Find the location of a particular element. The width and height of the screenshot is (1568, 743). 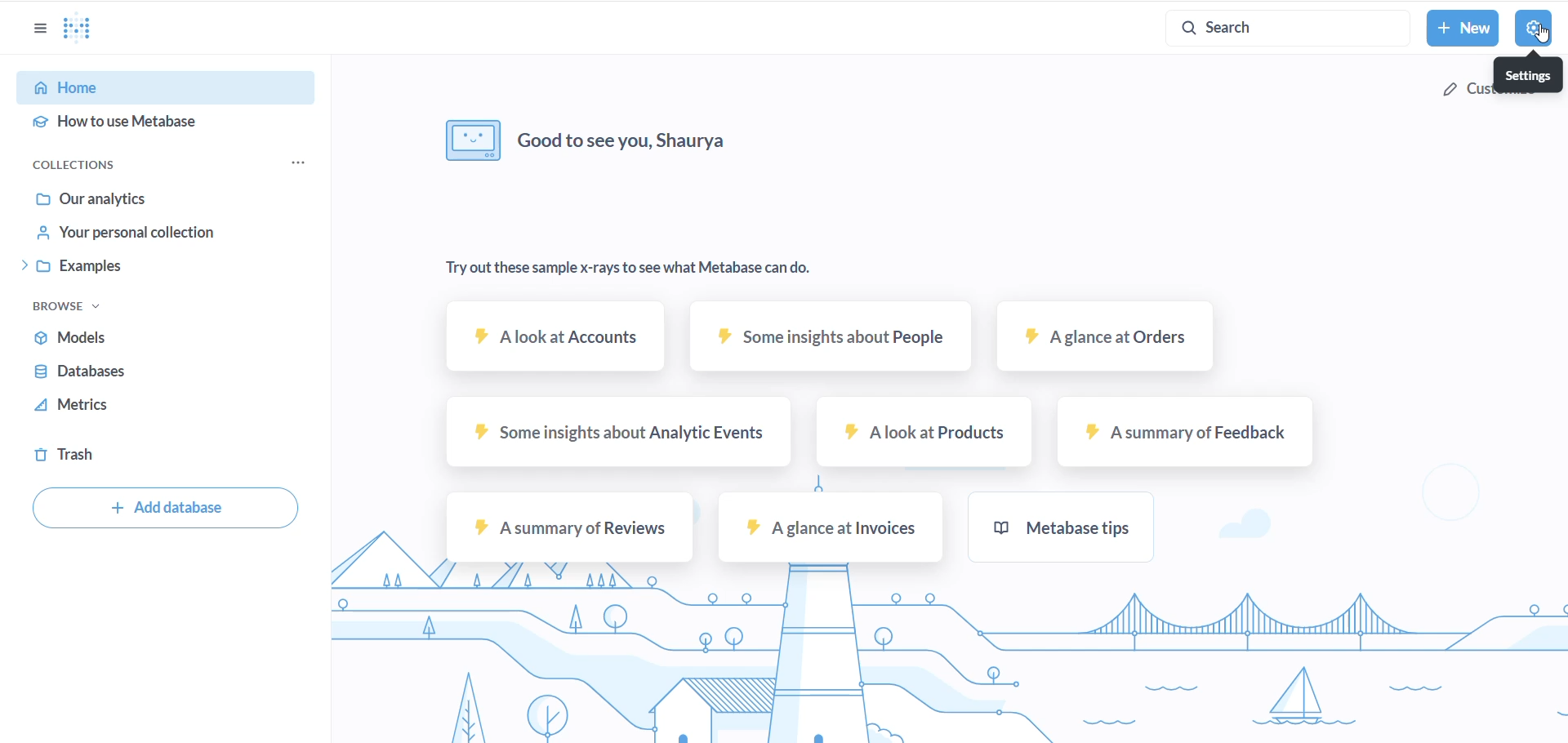

LOGO is located at coordinates (81, 28).